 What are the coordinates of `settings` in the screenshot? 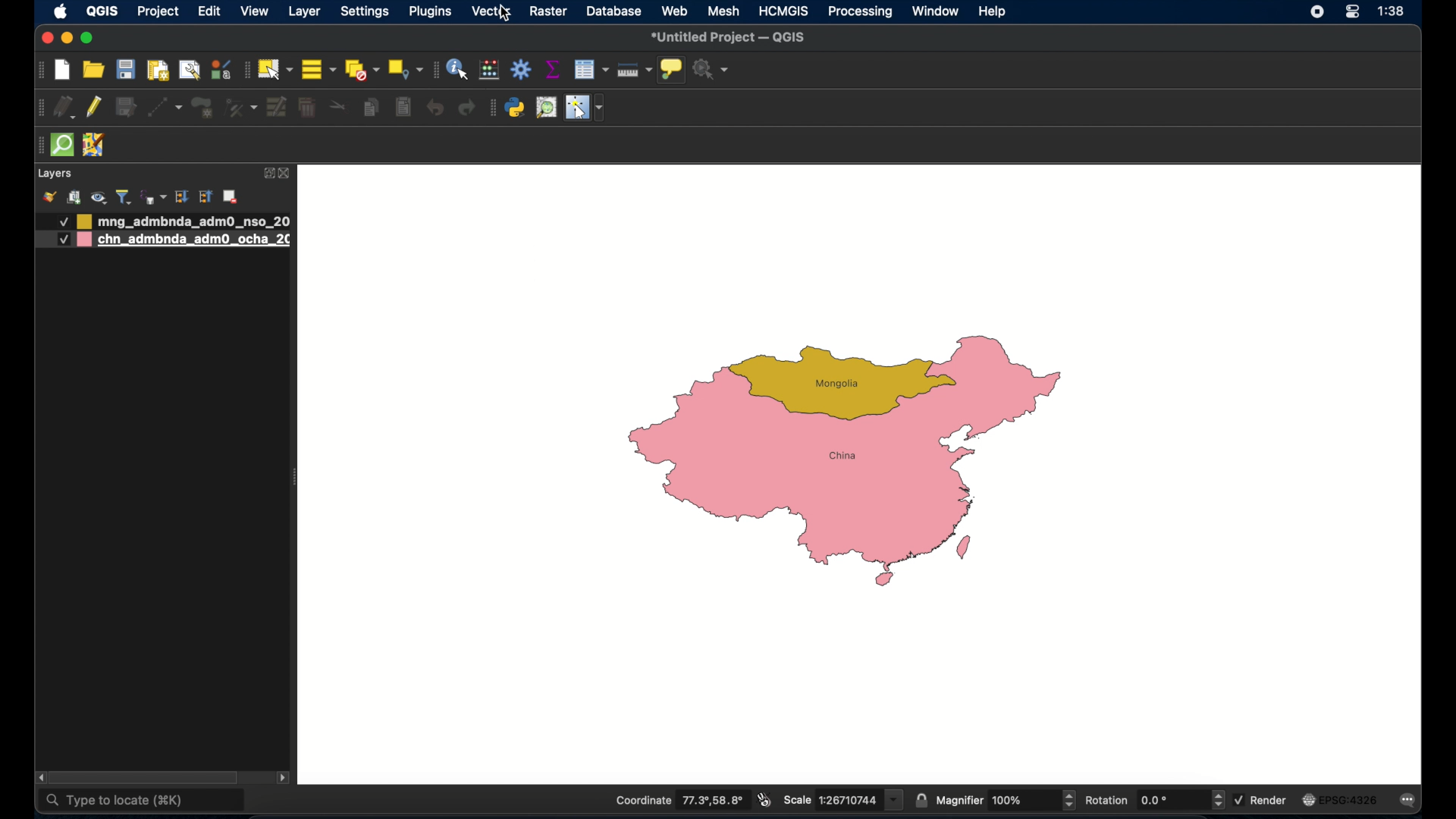 It's located at (366, 12).